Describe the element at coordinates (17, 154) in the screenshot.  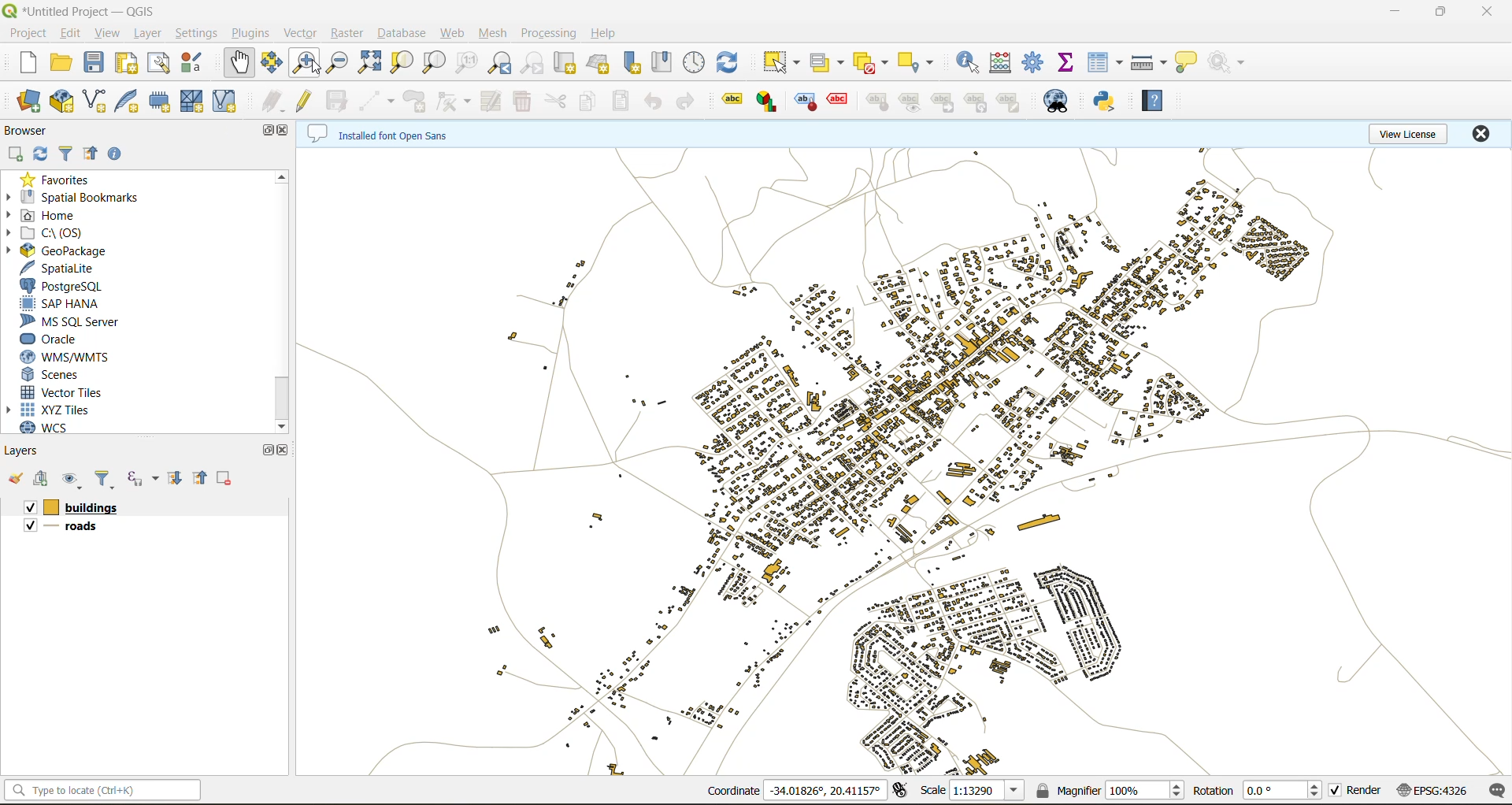
I see `add` at that location.